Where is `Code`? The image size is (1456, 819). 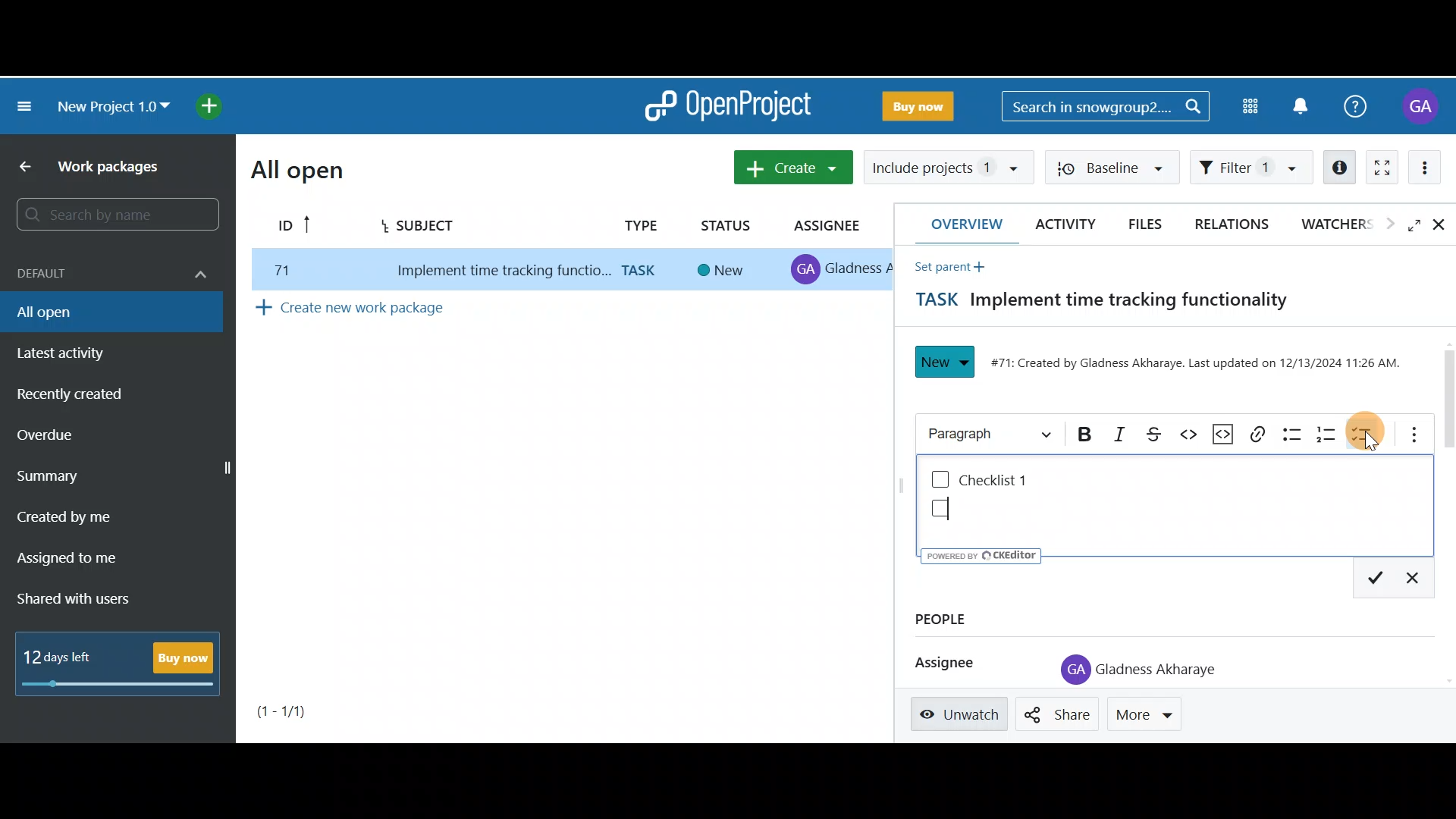 Code is located at coordinates (1193, 435).